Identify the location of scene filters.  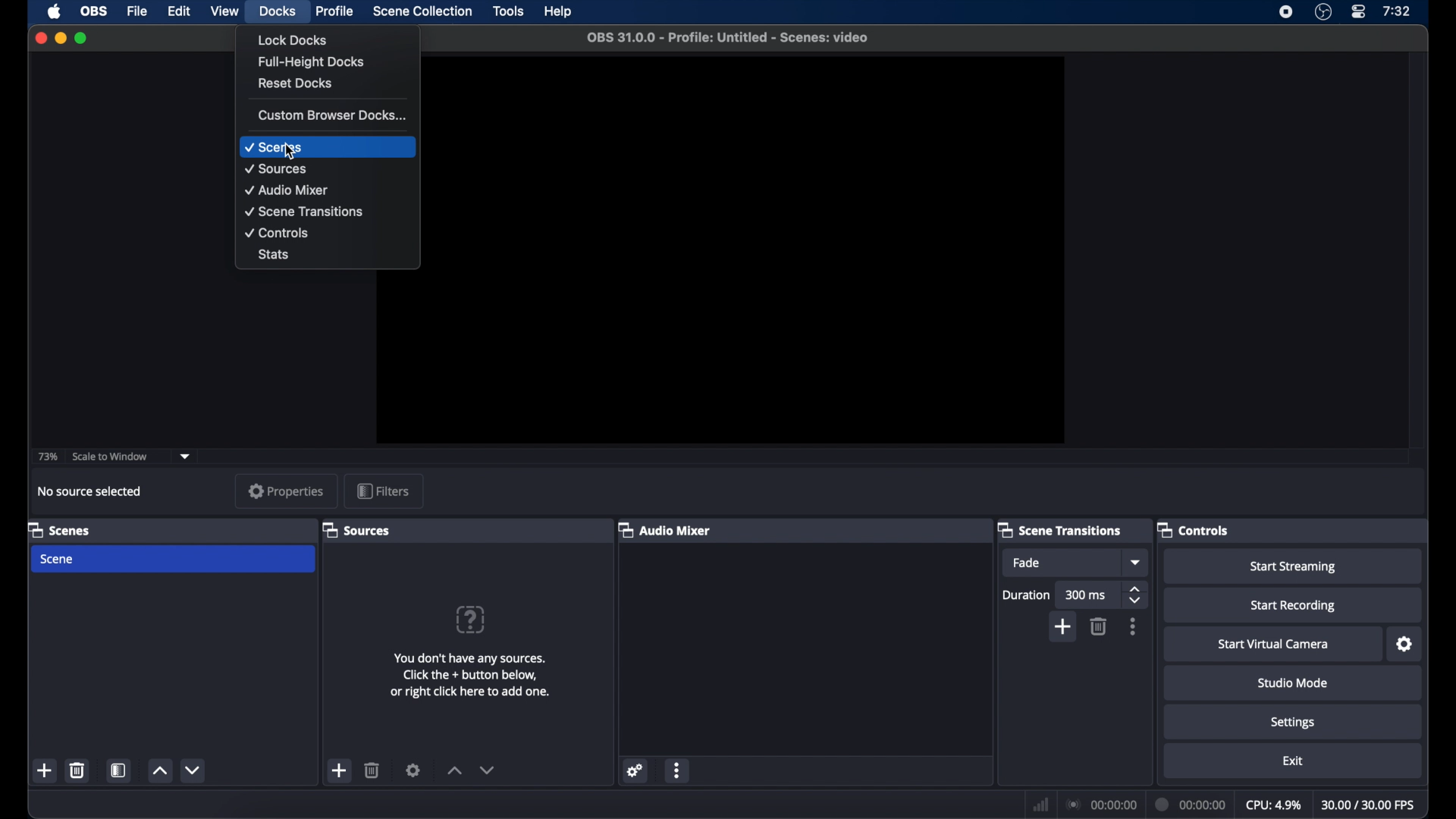
(118, 770).